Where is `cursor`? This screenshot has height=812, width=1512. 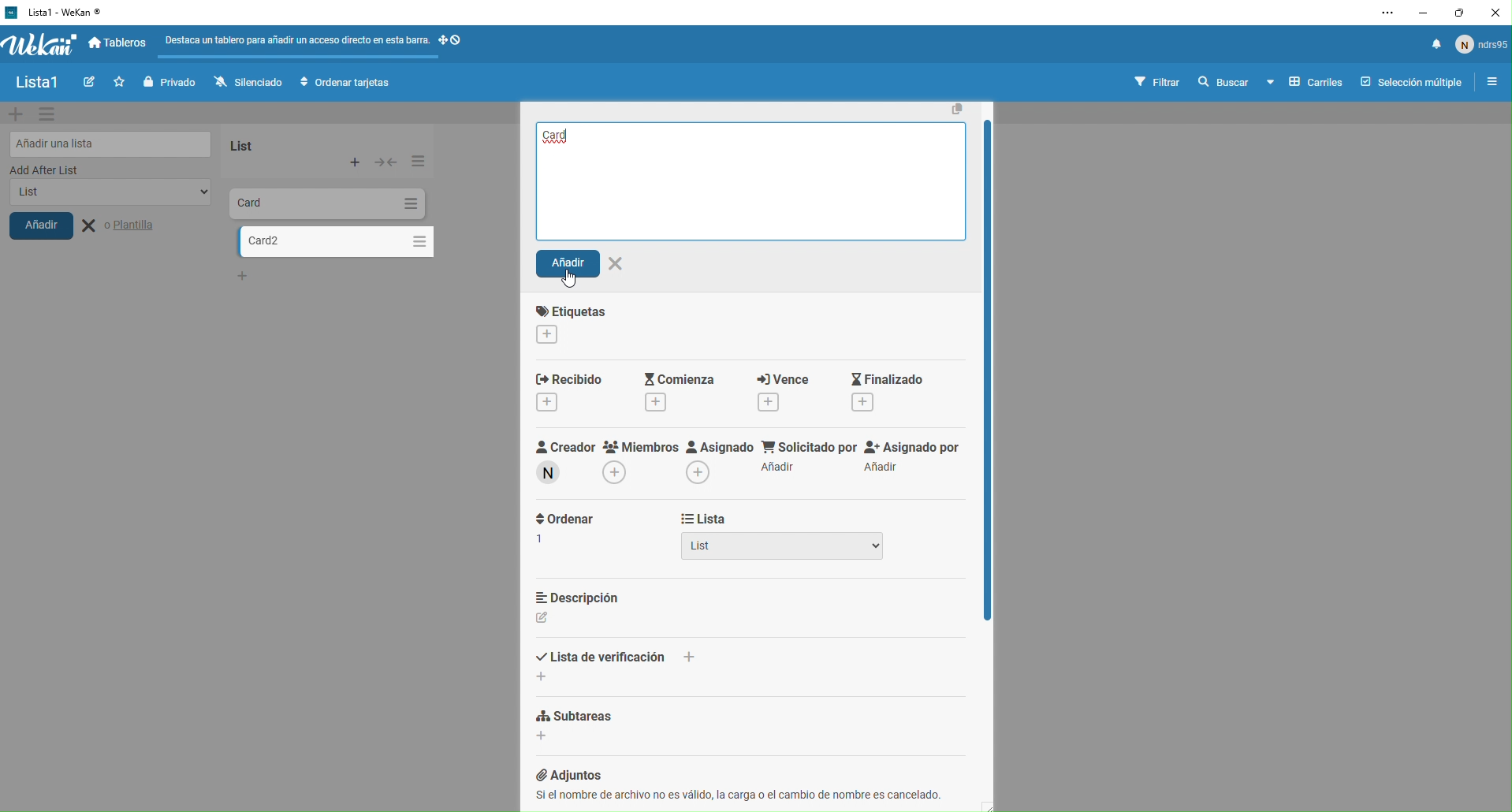
cursor is located at coordinates (574, 278).